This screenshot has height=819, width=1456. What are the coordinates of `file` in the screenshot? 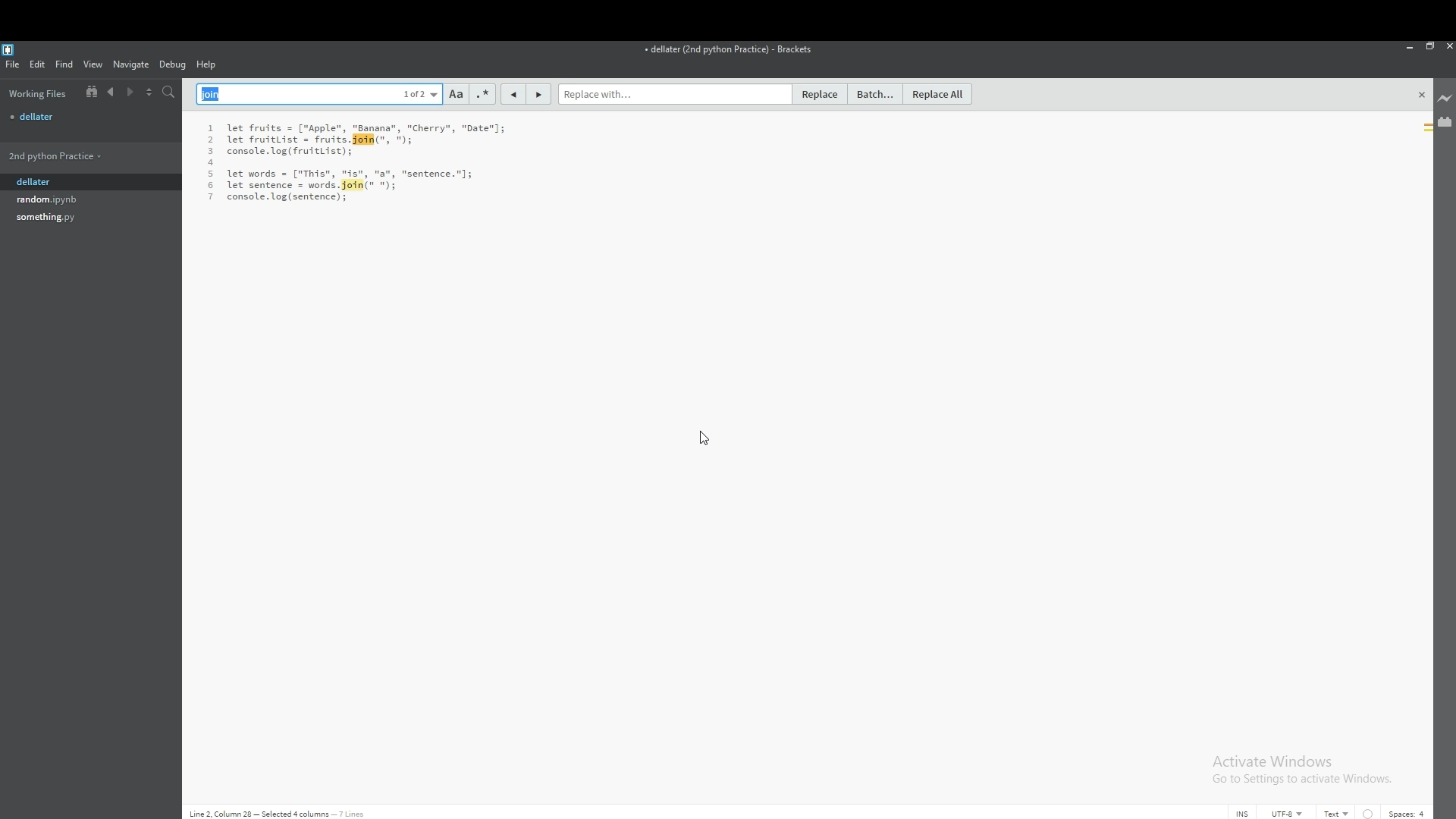 It's located at (89, 116).